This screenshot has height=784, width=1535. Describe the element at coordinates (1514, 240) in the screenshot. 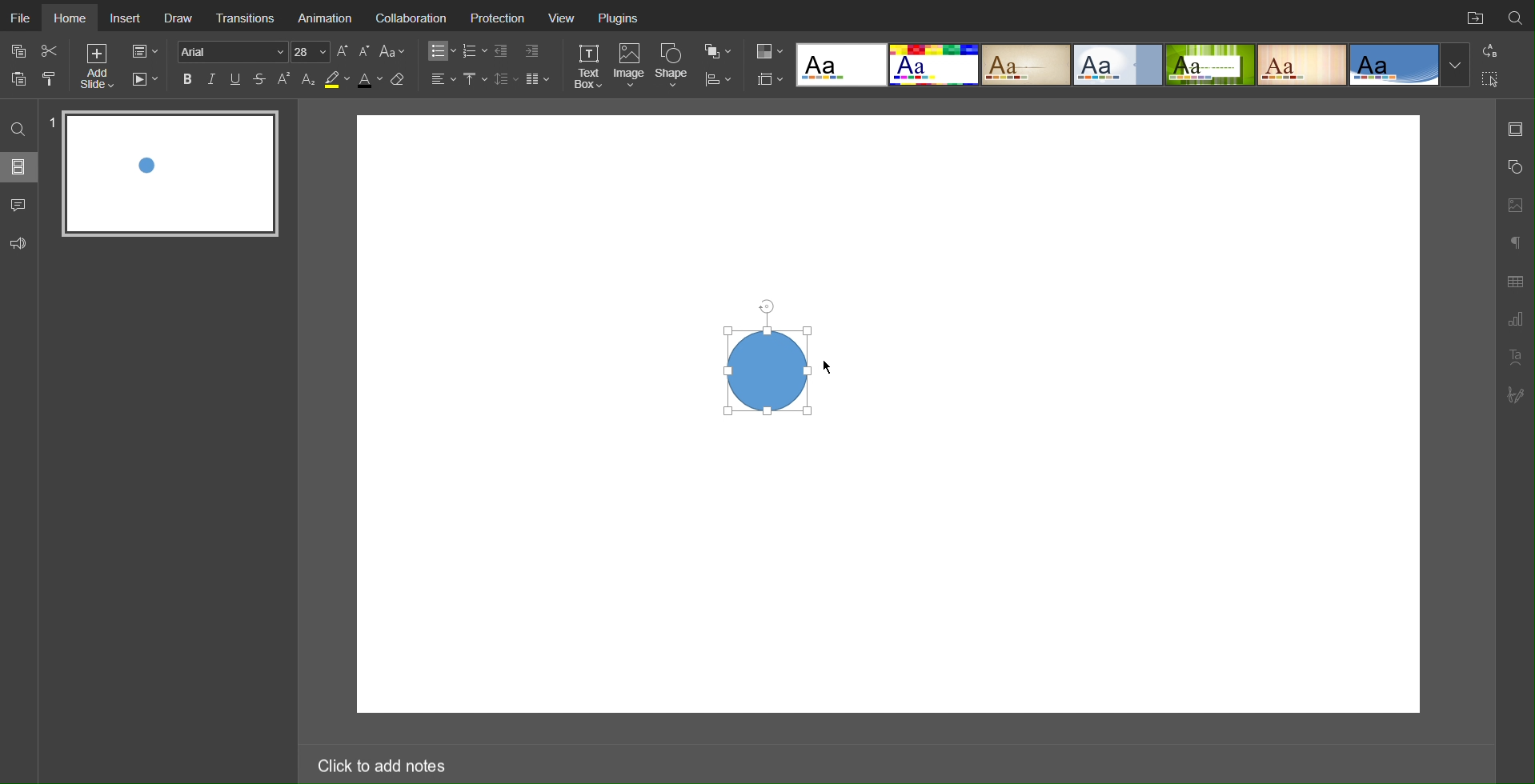

I see `Paragraph Settings` at that location.